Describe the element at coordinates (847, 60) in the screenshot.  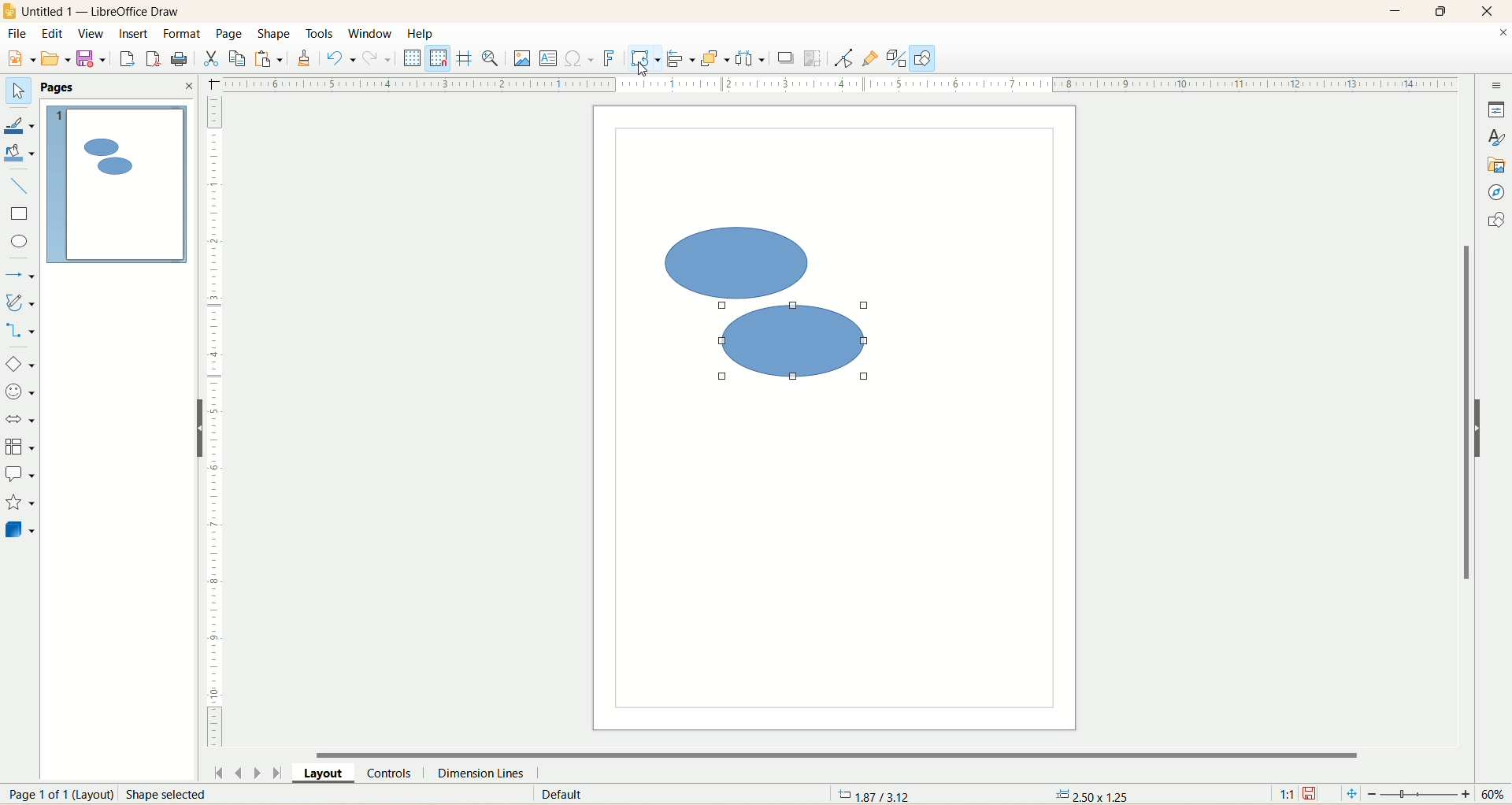
I see `point edit mode` at that location.